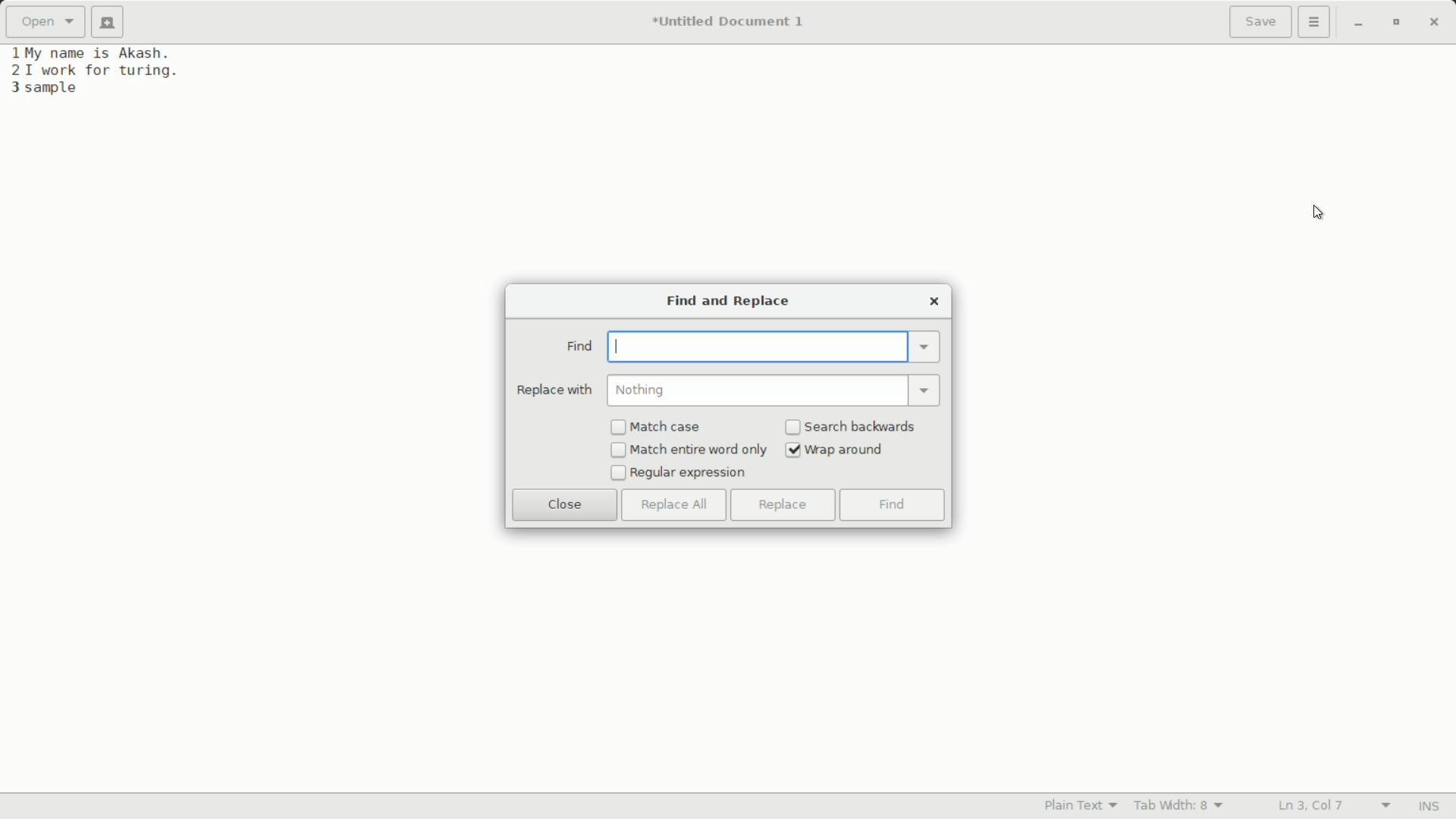  What do you see at coordinates (757, 347) in the screenshot?
I see `find bar` at bounding box center [757, 347].